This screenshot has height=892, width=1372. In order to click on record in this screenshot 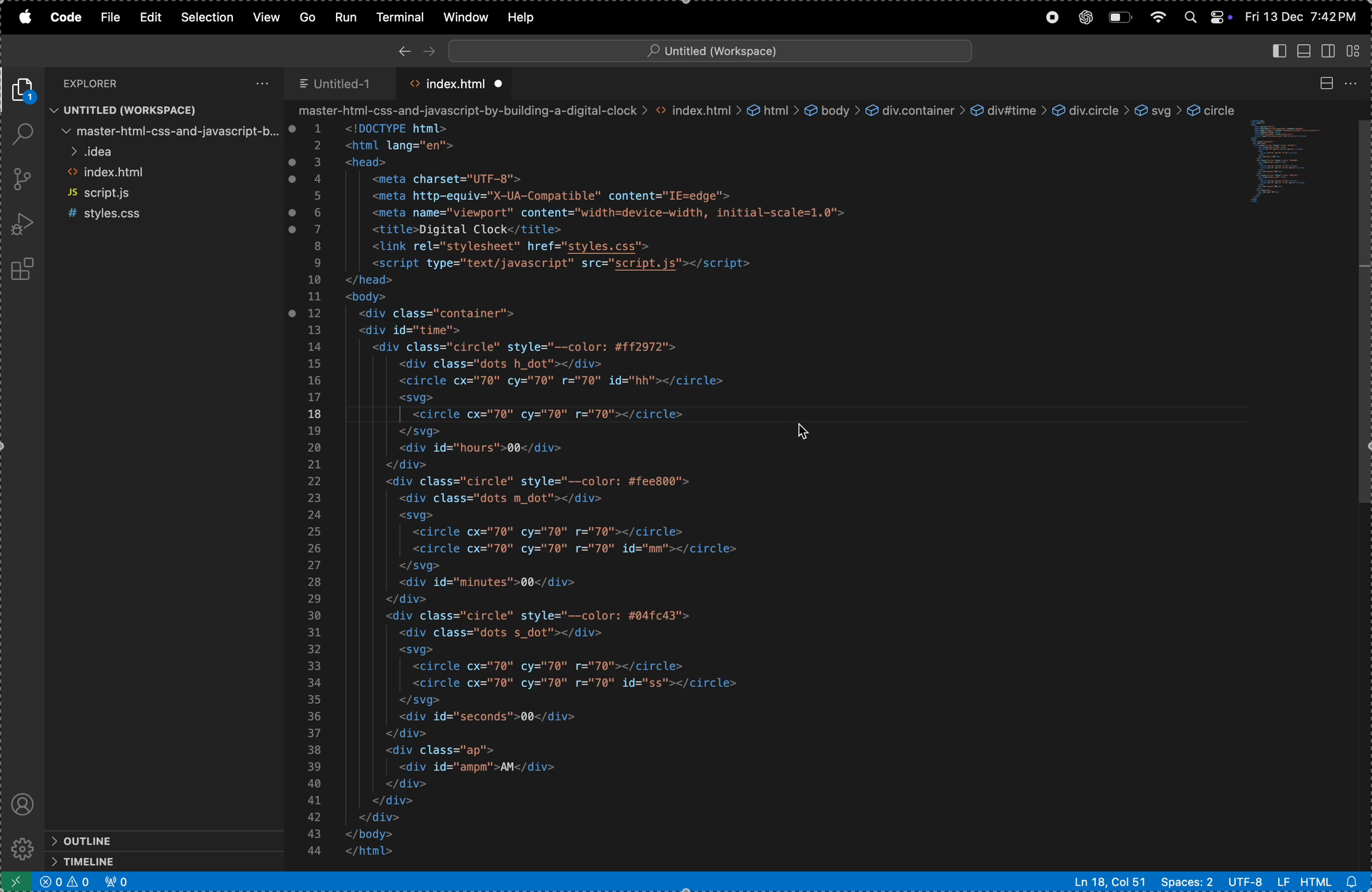, I will do `click(1050, 18)`.